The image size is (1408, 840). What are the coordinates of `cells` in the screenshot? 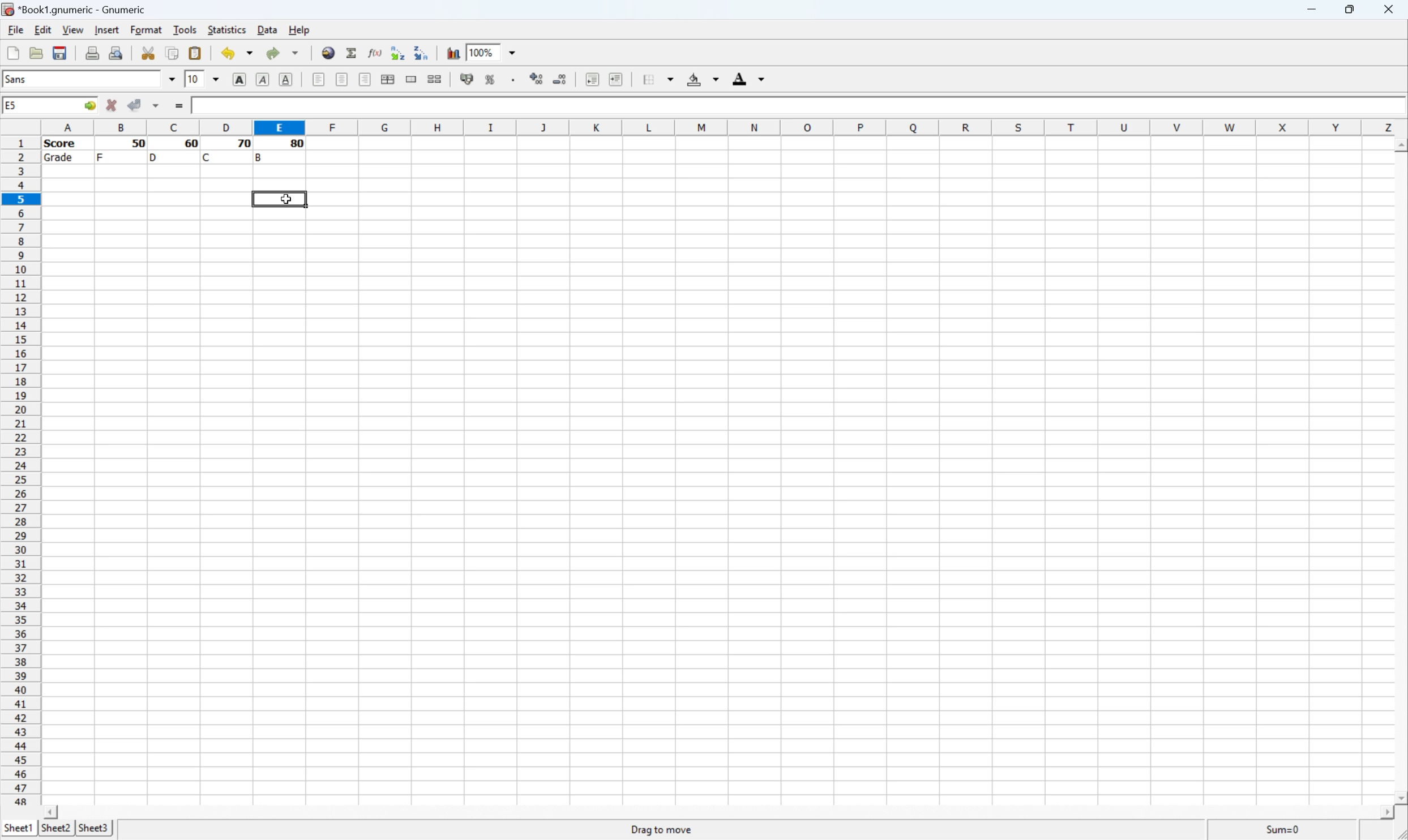 It's located at (855, 152).